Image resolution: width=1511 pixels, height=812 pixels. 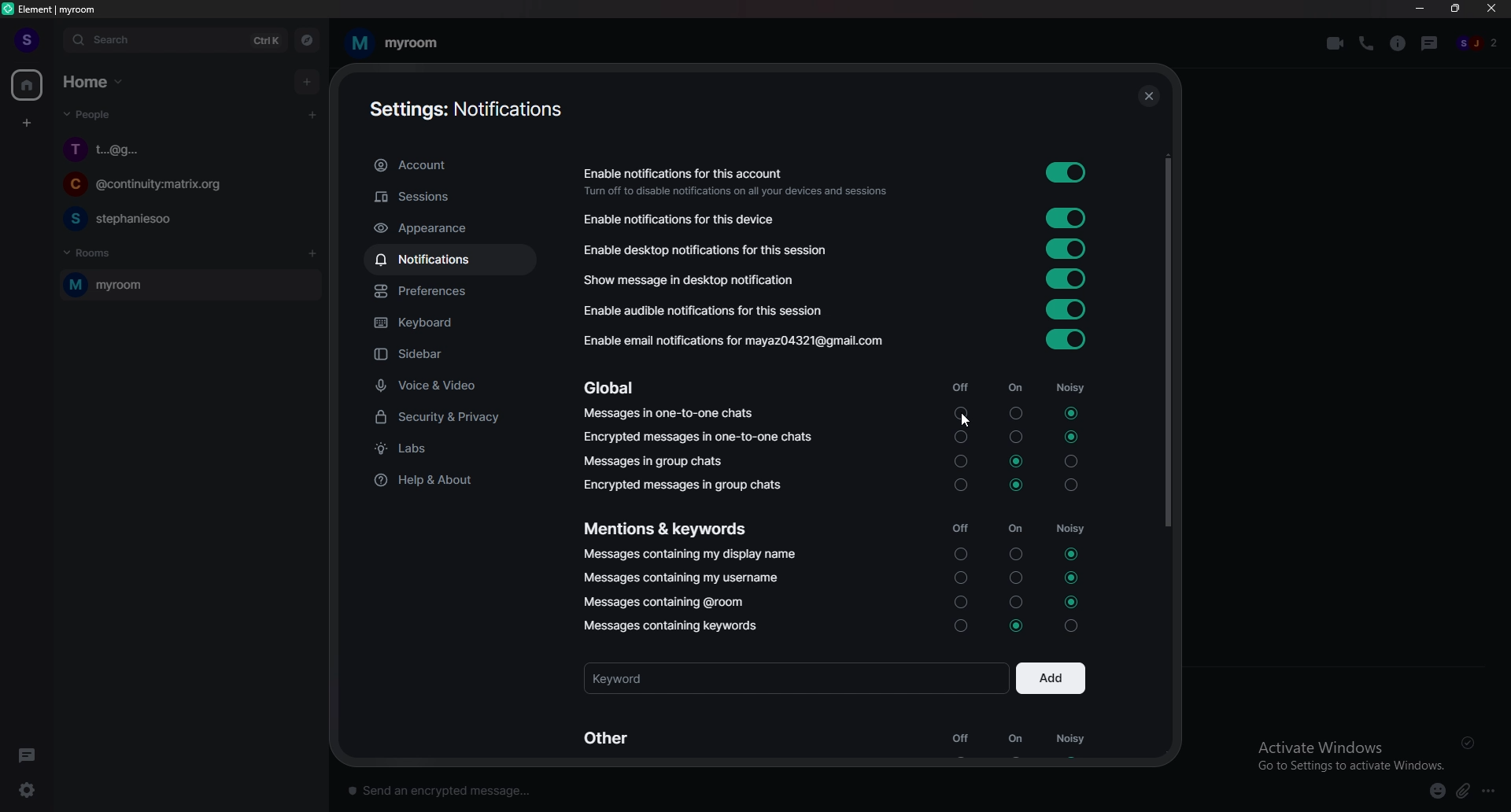 What do you see at coordinates (1144, 92) in the screenshot?
I see `close` at bounding box center [1144, 92].